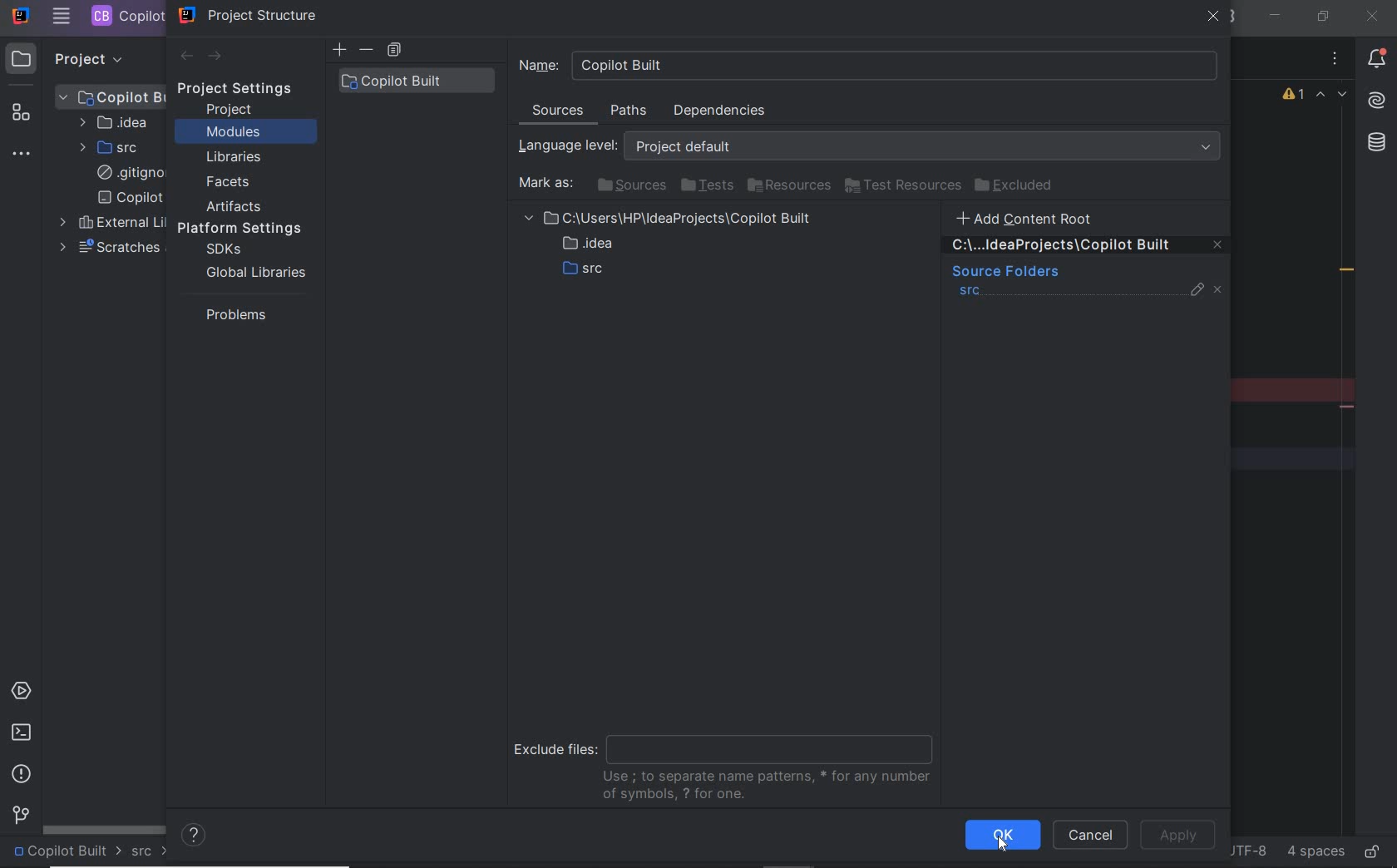 Image resolution: width=1397 pixels, height=868 pixels. Describe the element at coordinates (1276, 16) in the screenshot. I see `minimize` at that location.